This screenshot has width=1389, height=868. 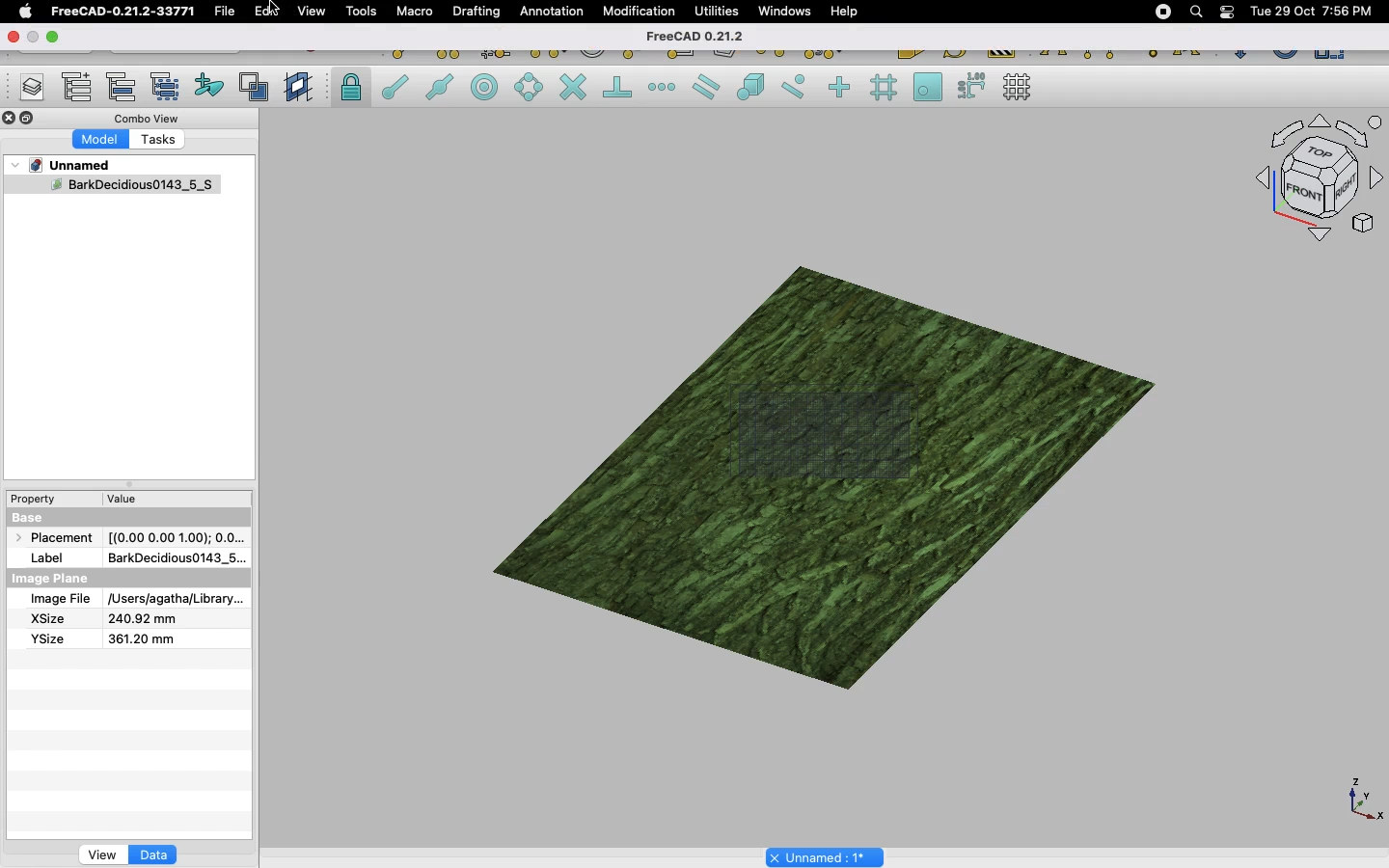 I want to click on Project name, so click(x=827, y=855).